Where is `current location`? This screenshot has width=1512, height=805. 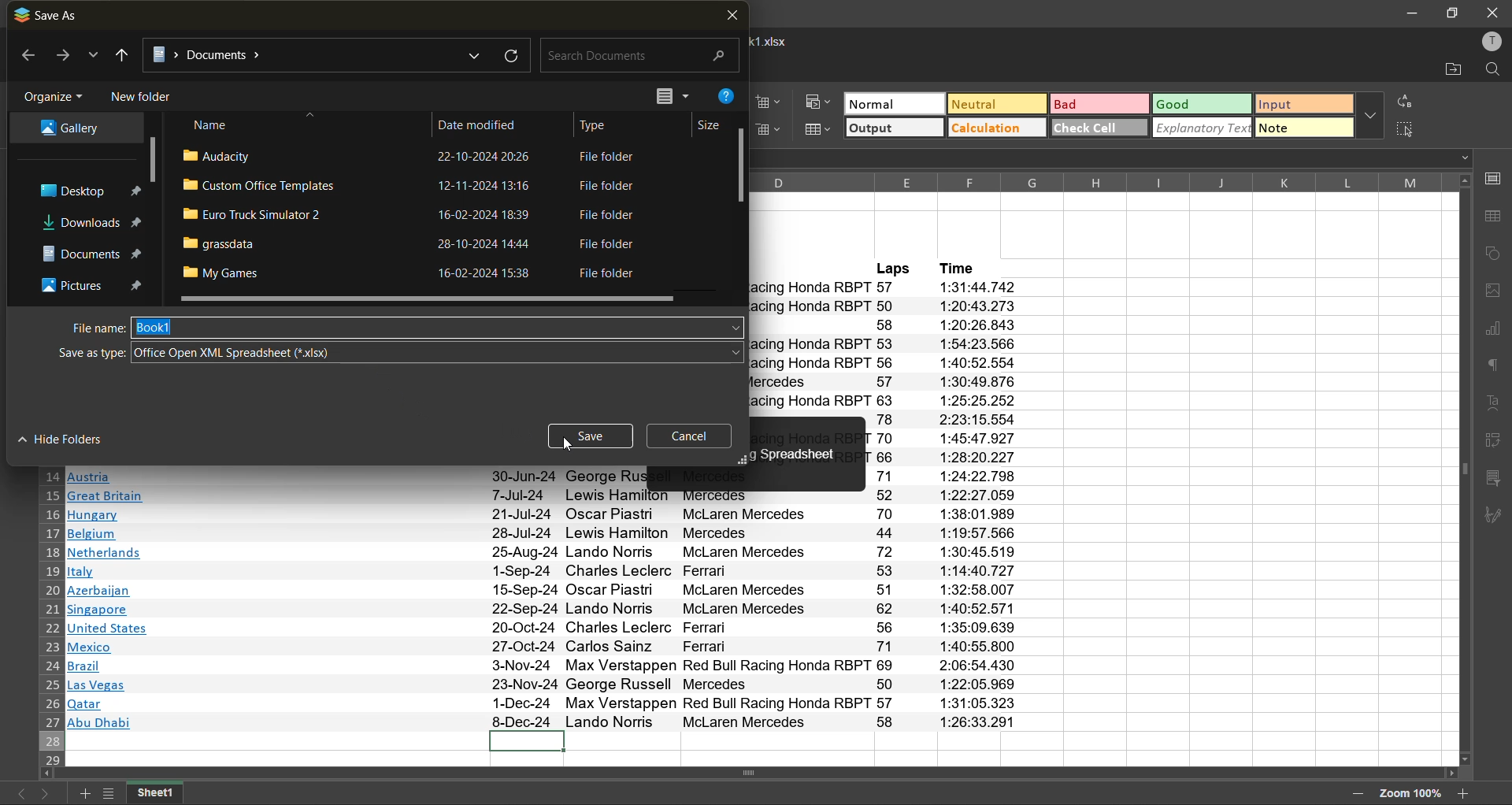 current location is located at coordinates (476, 57).